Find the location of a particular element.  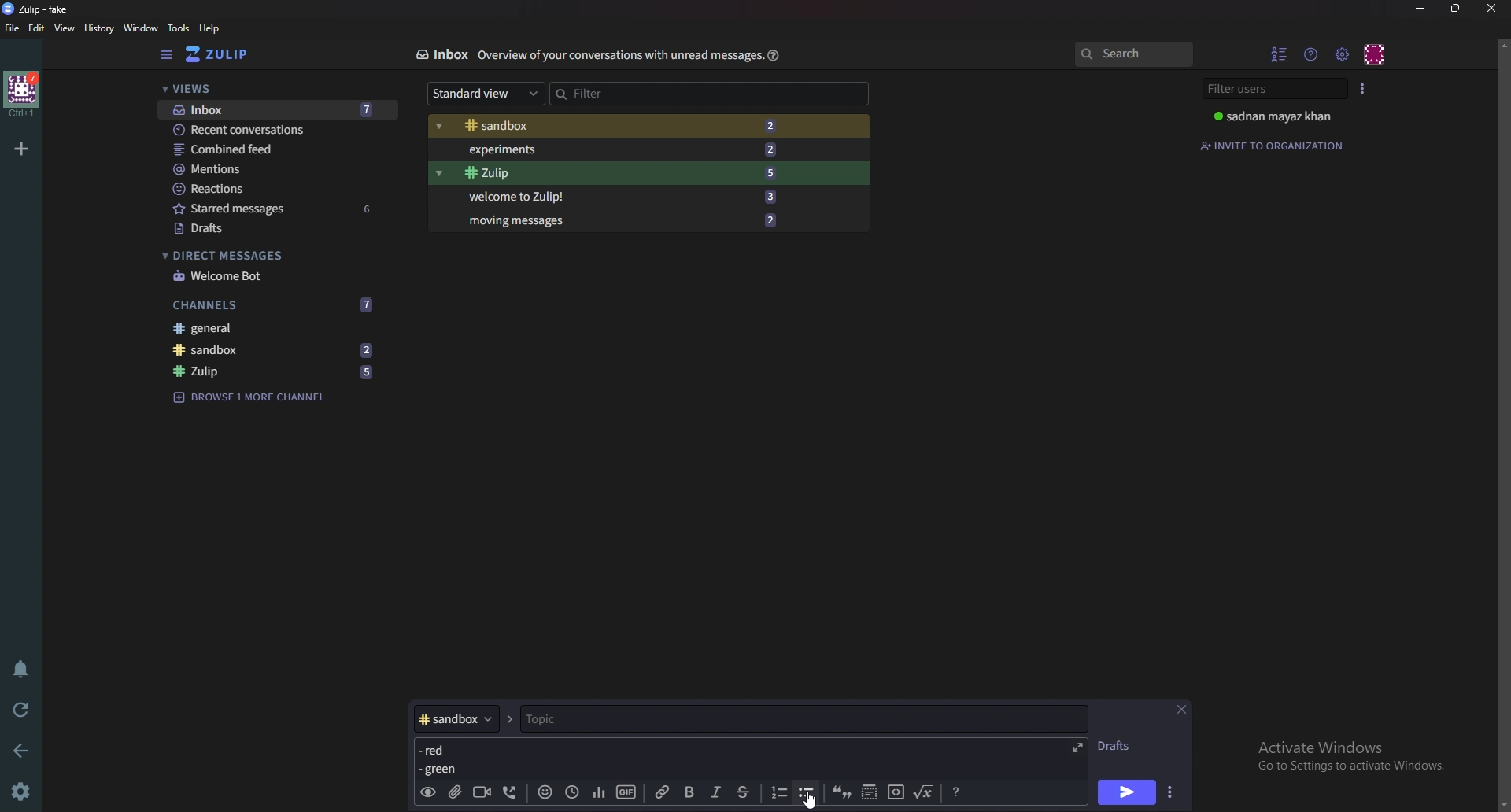

Voice call is located at coordinates (513, 792).